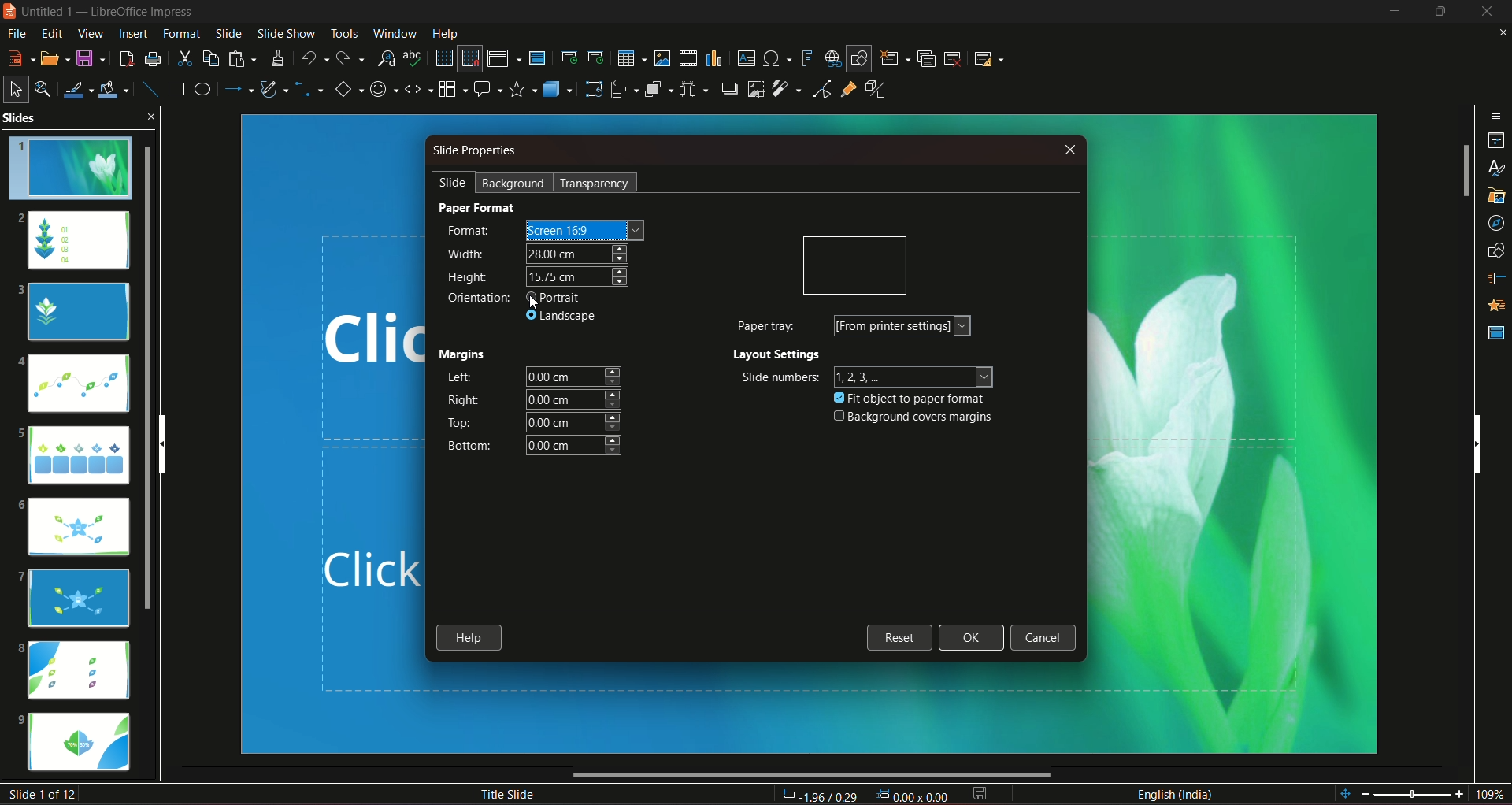 The width and height of the screenshot is (1512, 805). I want to click on reset, so click(896, 636).